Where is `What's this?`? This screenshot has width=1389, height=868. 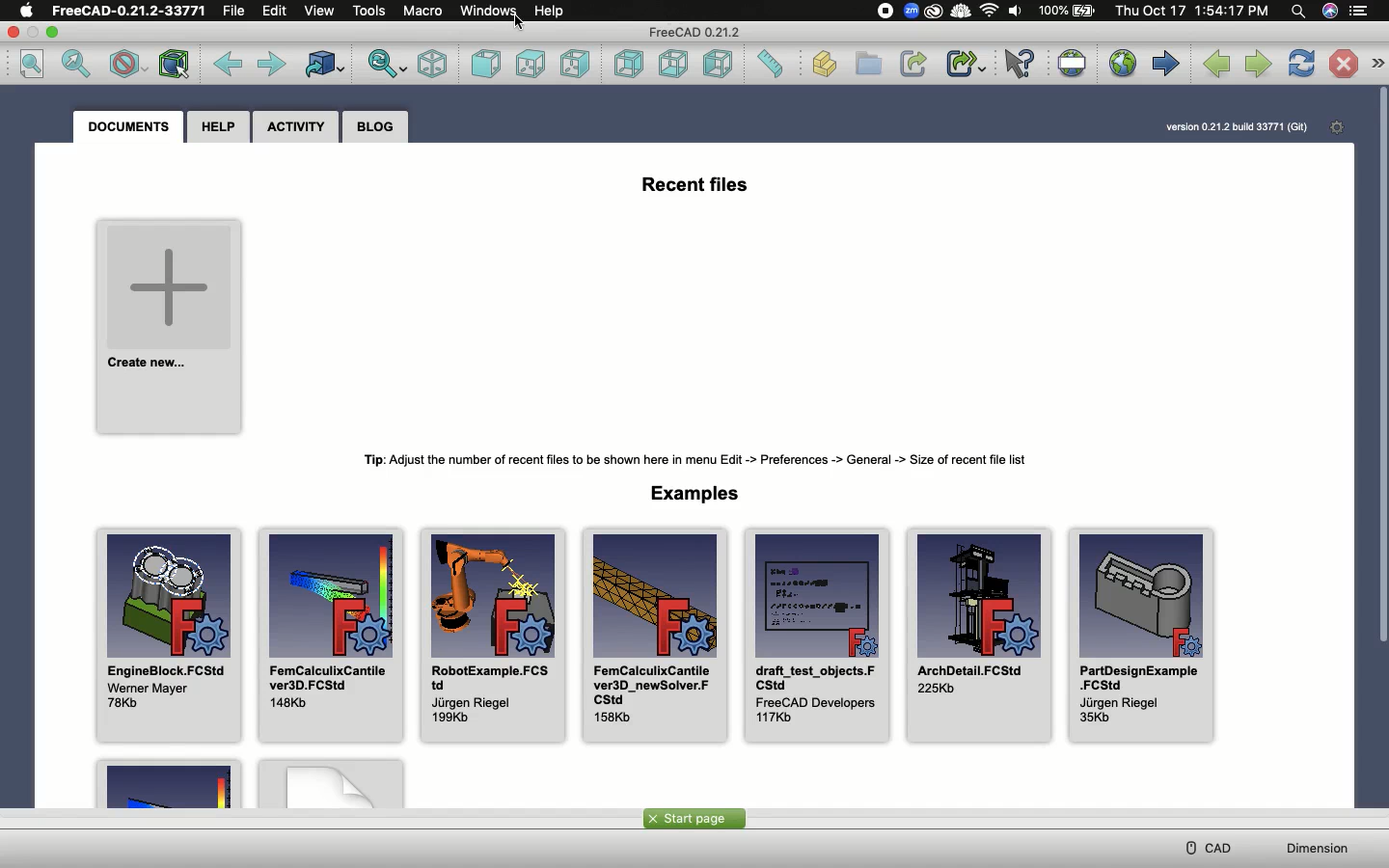 What's this? is located at coordinates (1021, 64).